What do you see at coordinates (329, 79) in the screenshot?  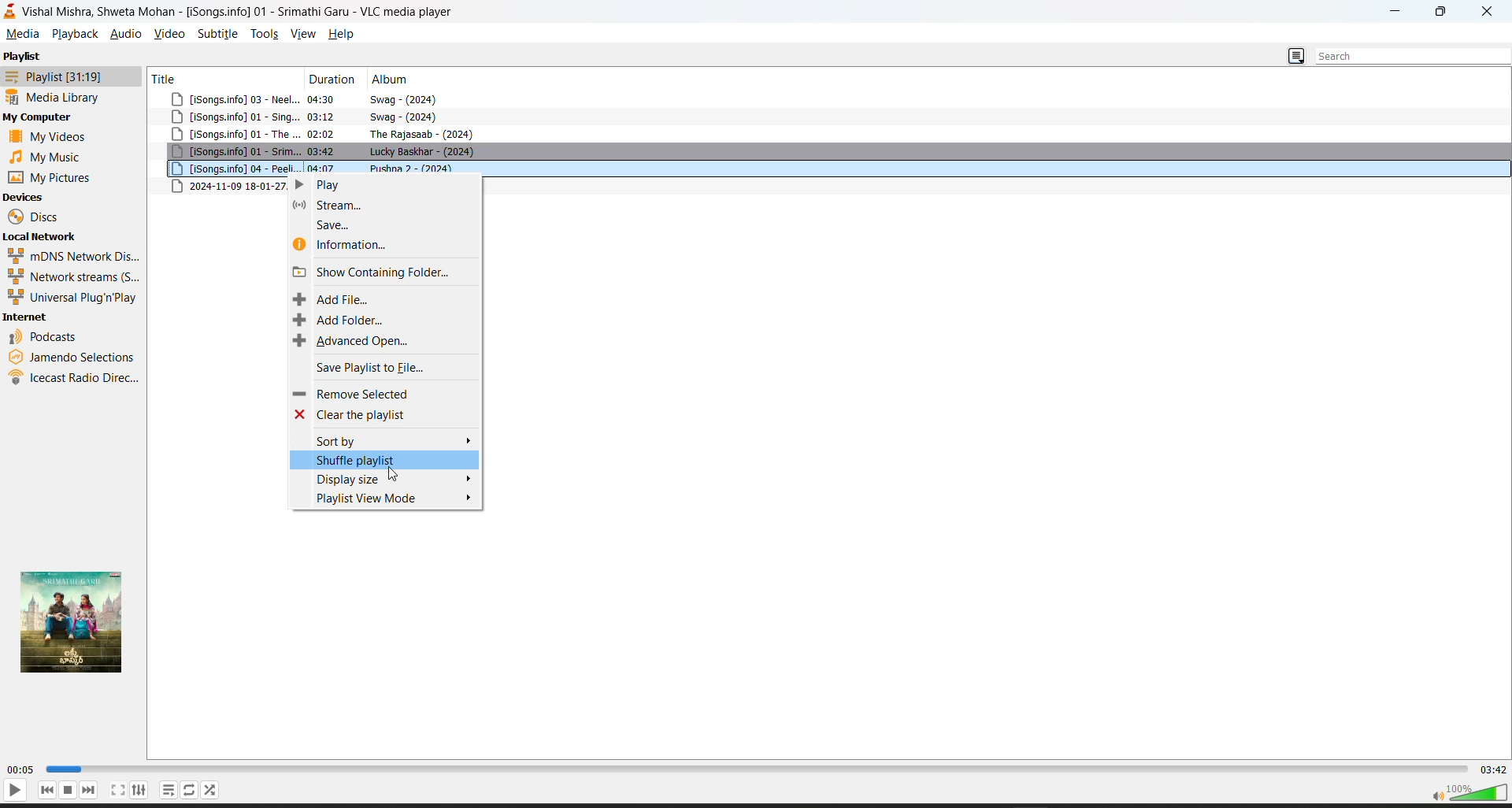 I see `duration` at bounding box center [329, 79].